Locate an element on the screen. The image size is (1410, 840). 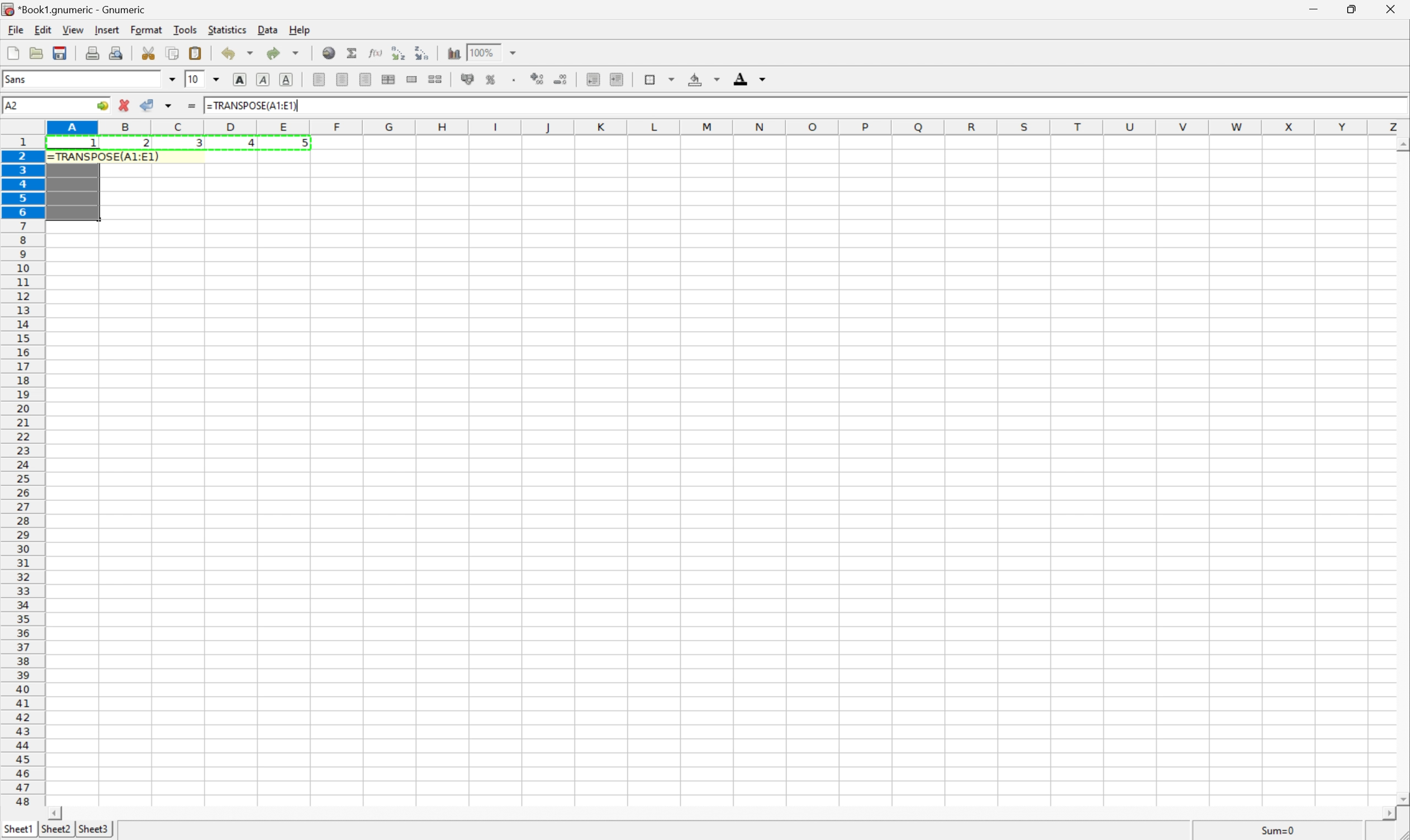
insert is located at coordinates (107, 29).